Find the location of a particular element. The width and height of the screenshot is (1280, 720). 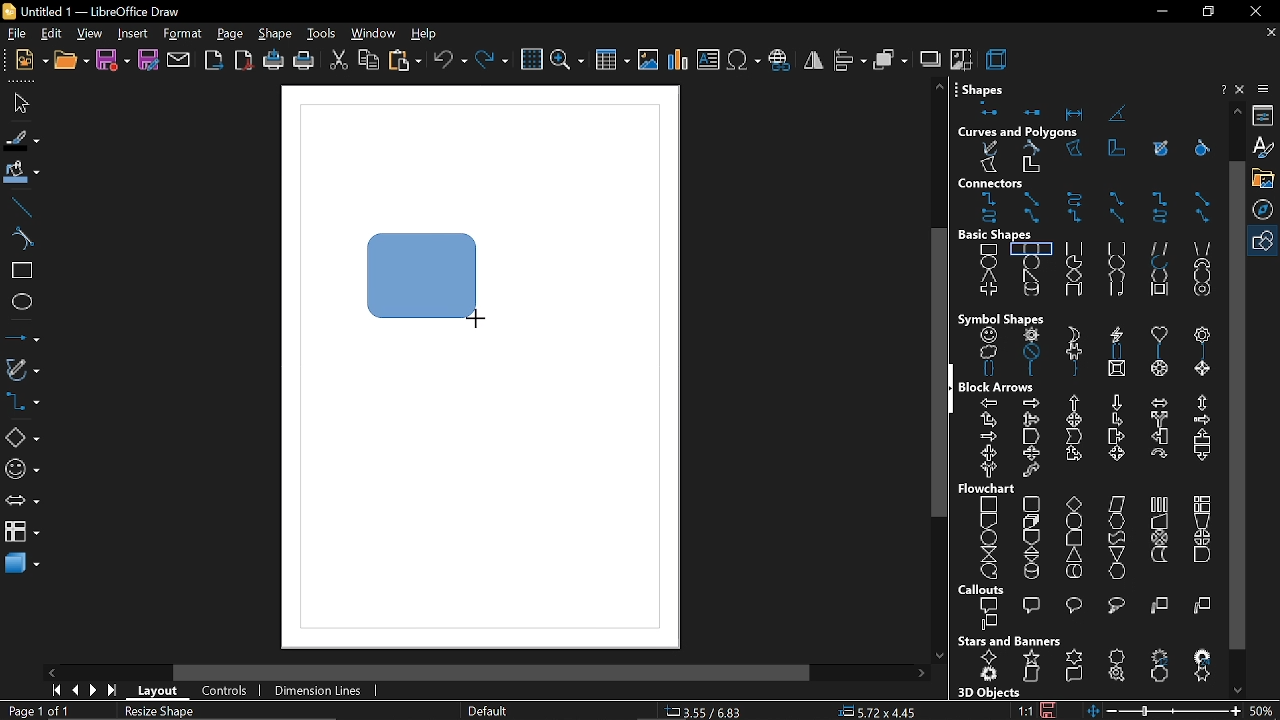

dimension lines is located at coordinates (320, 692).